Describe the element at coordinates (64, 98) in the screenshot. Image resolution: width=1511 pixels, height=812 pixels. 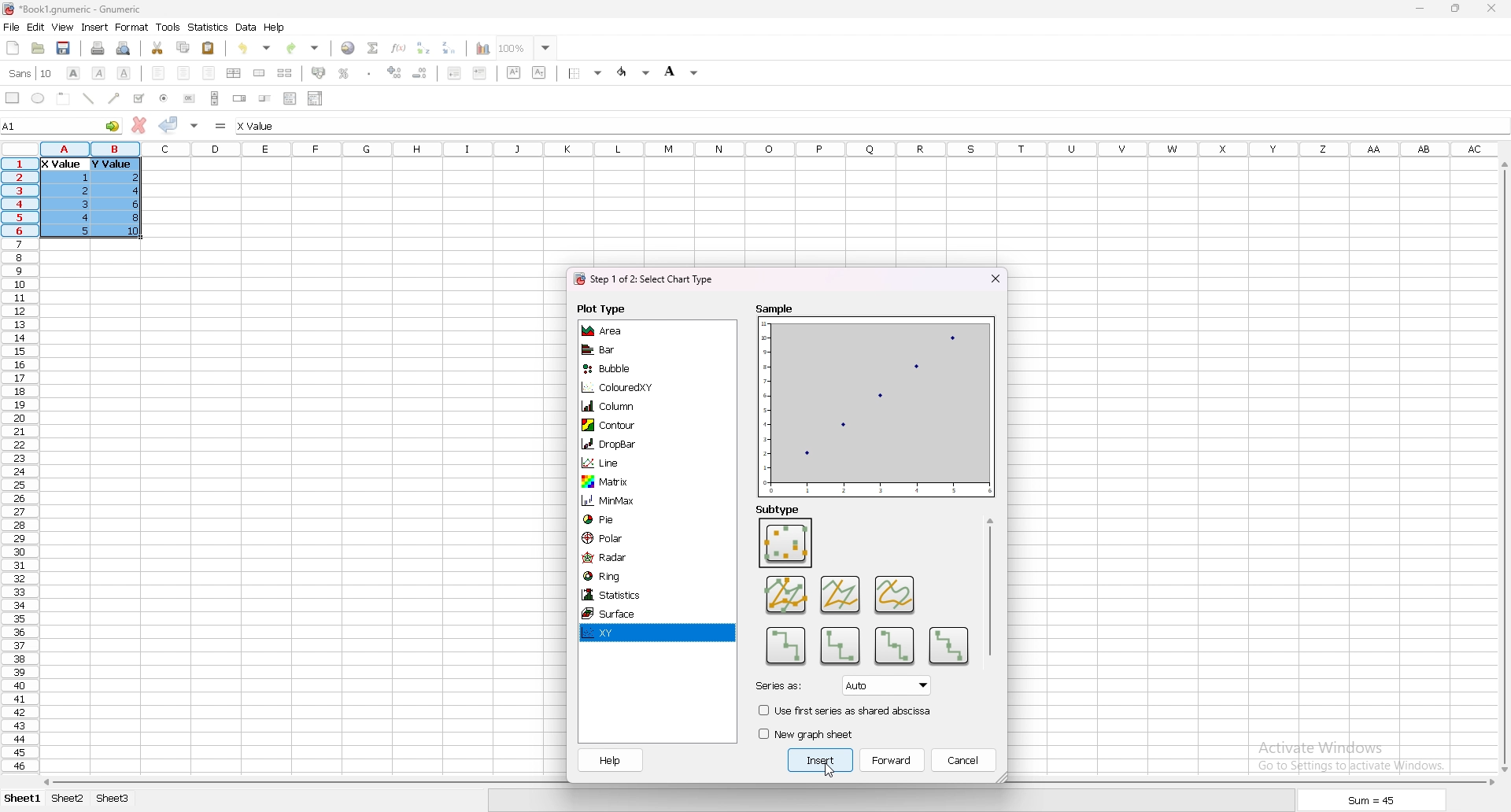
I see `frame` at that location.